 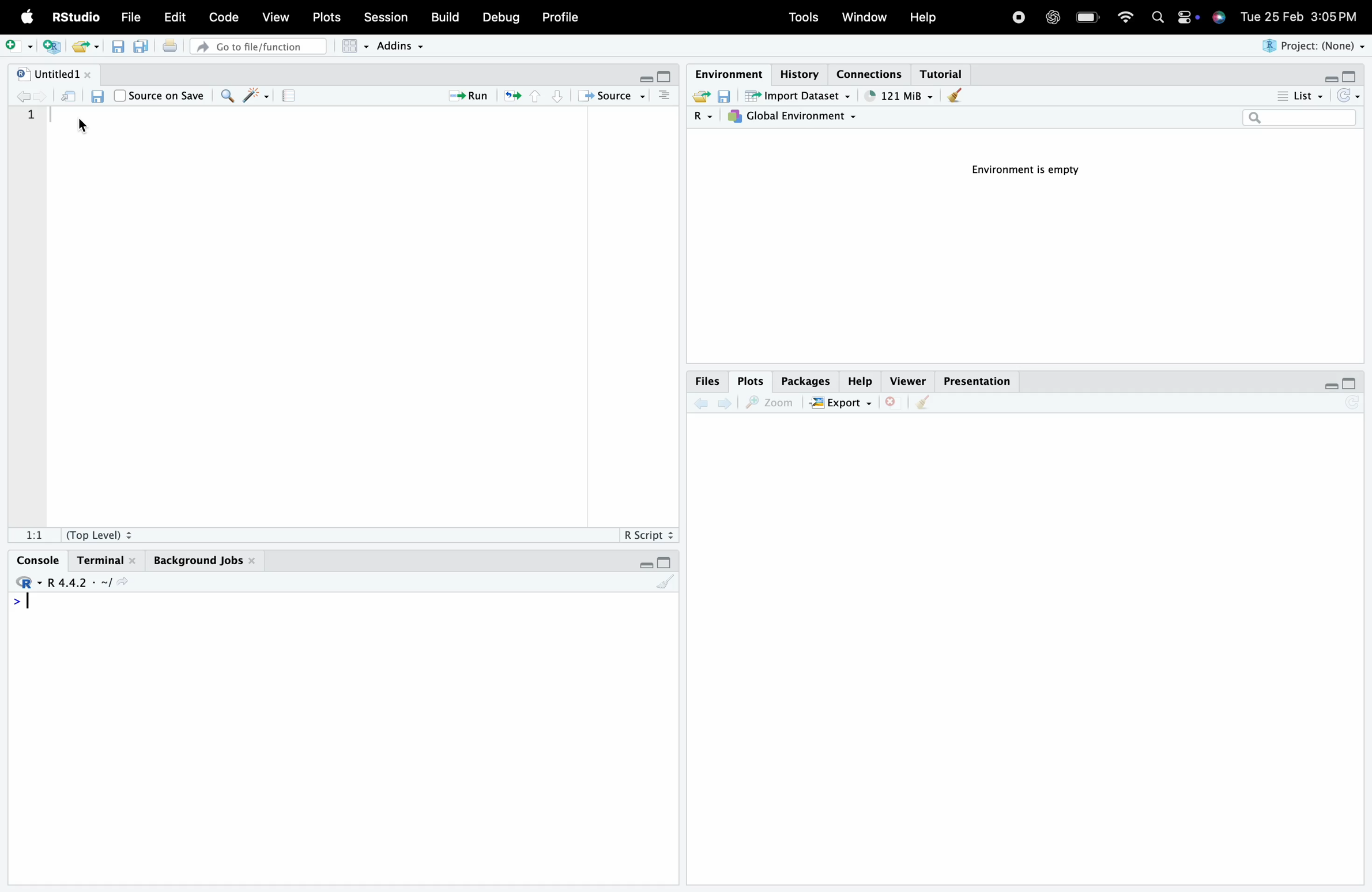 What do you see at coordinates (49, 46) in the screenshot?
I see `Create a project` at bounding box center [49, 46].